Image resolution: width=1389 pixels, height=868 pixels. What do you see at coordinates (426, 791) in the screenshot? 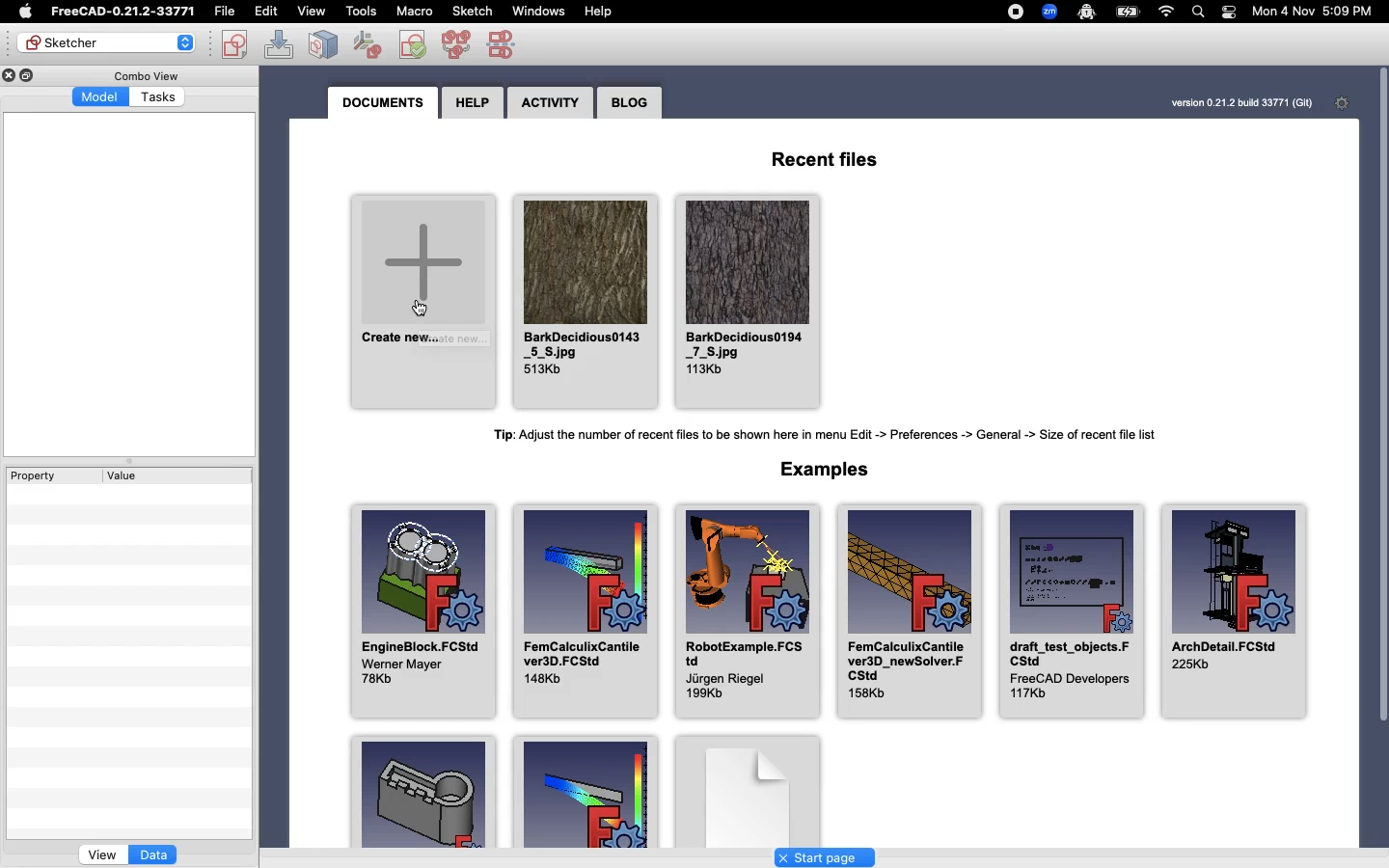
I see `Example 9` at bounding box center [426, 791].